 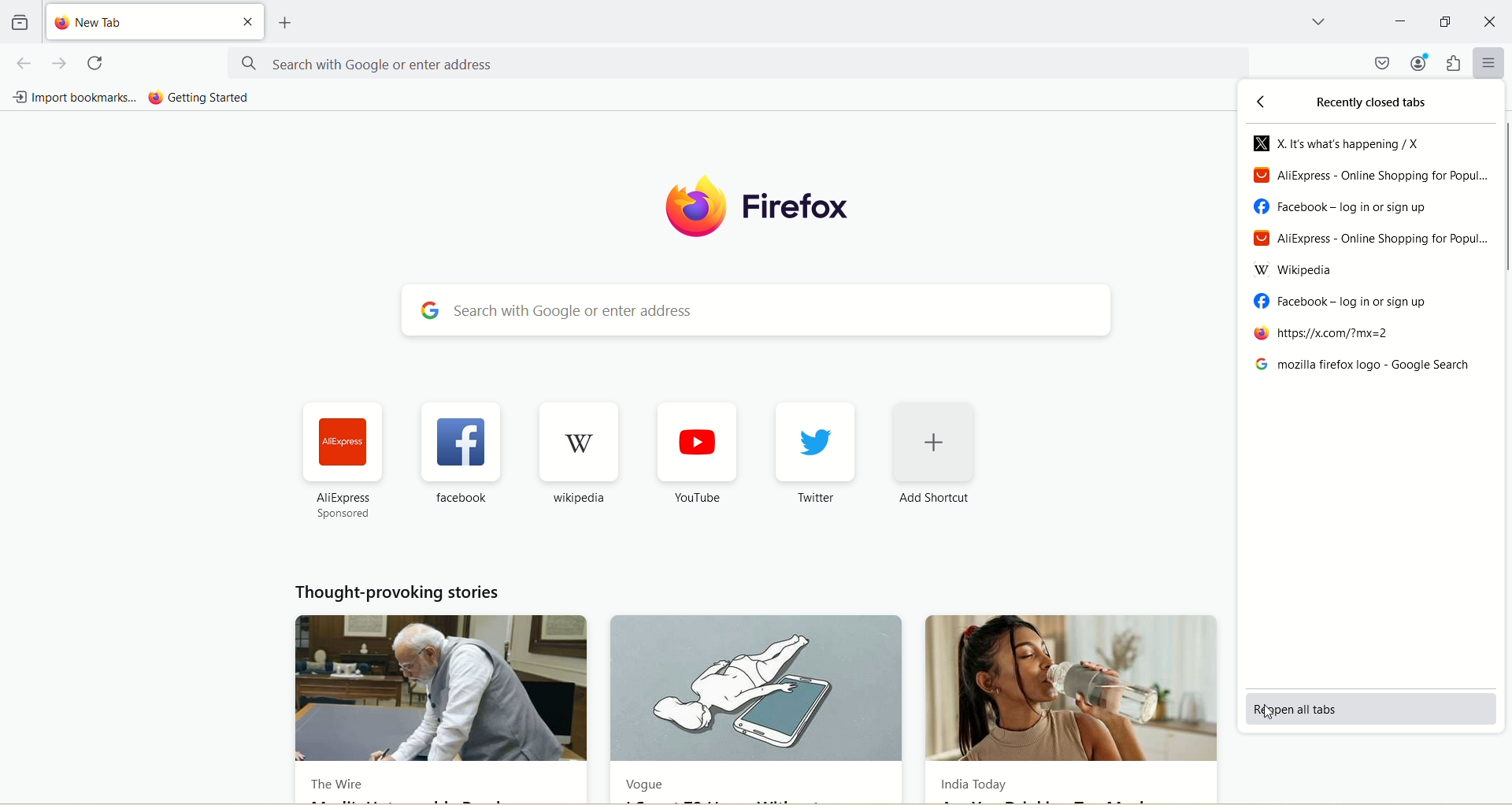 I want to click on Vogue, so click(x=758, y=689).